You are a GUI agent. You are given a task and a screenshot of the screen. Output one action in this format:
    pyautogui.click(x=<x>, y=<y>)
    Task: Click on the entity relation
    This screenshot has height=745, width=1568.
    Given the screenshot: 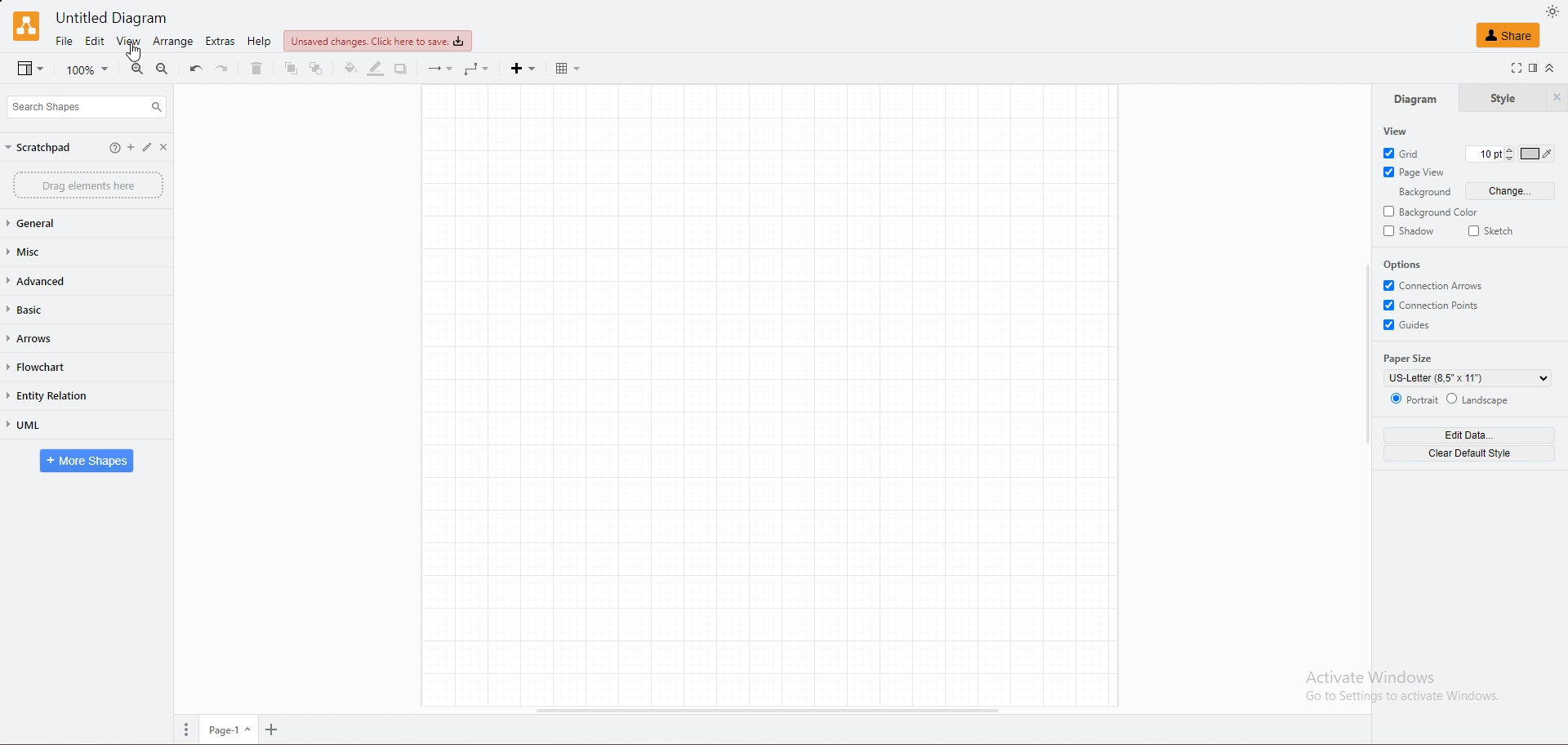 What is the action you would take?
    pyautogui.click(x=60, y=395)
    